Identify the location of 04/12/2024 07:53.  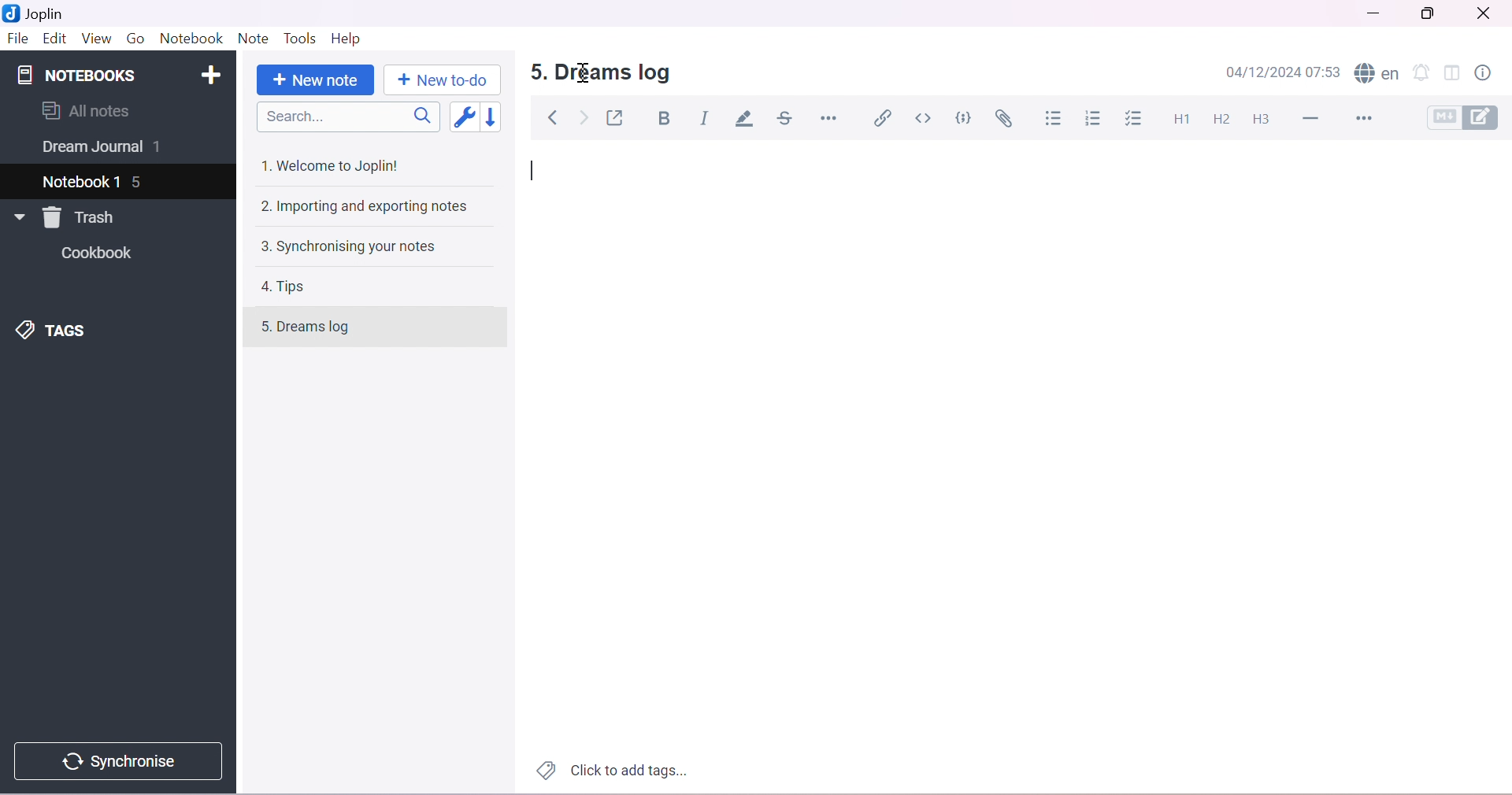
(1287, 72).